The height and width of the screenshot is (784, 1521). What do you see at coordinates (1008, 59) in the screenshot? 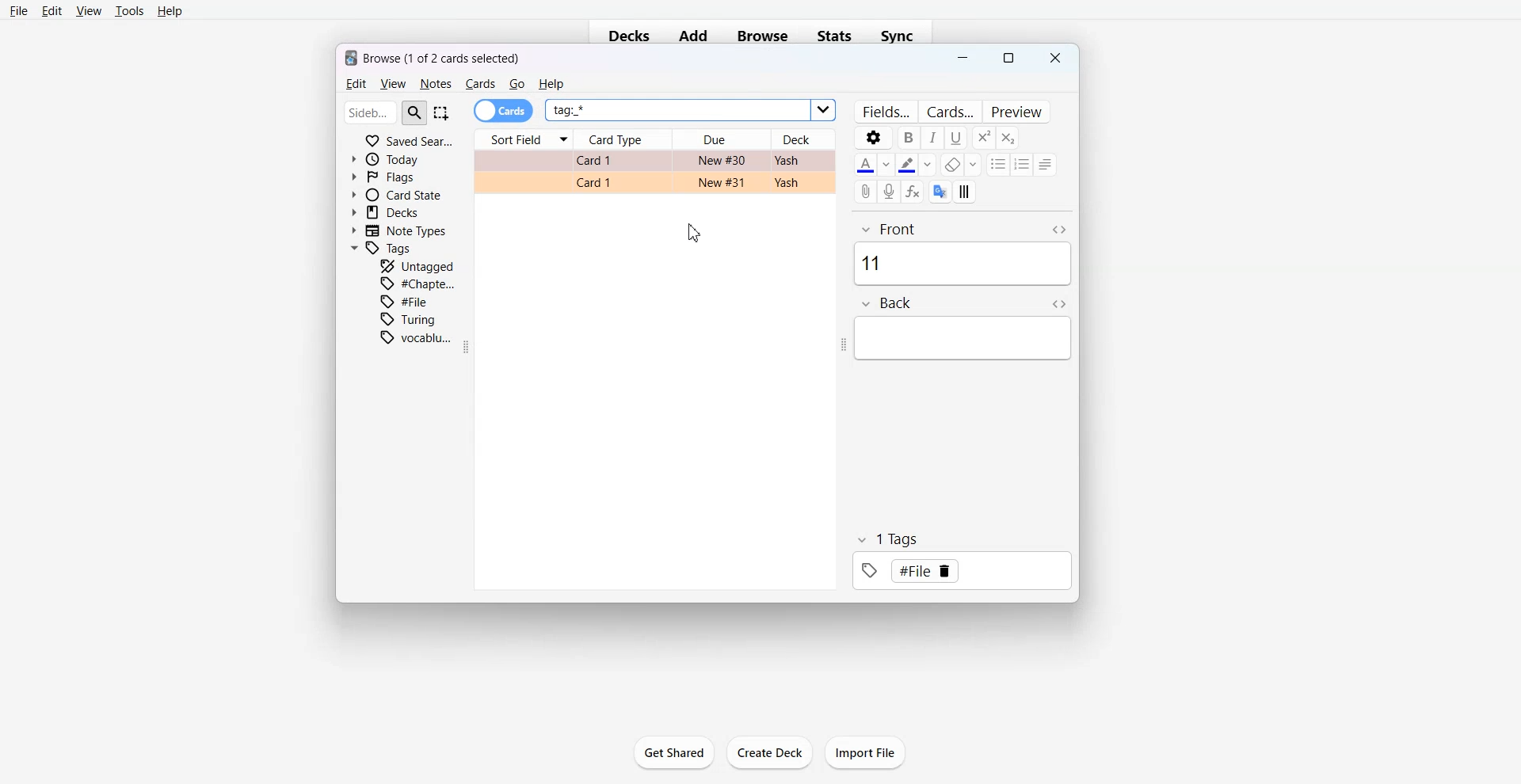
I see `Maximize` at bounding box center [1008, 59].